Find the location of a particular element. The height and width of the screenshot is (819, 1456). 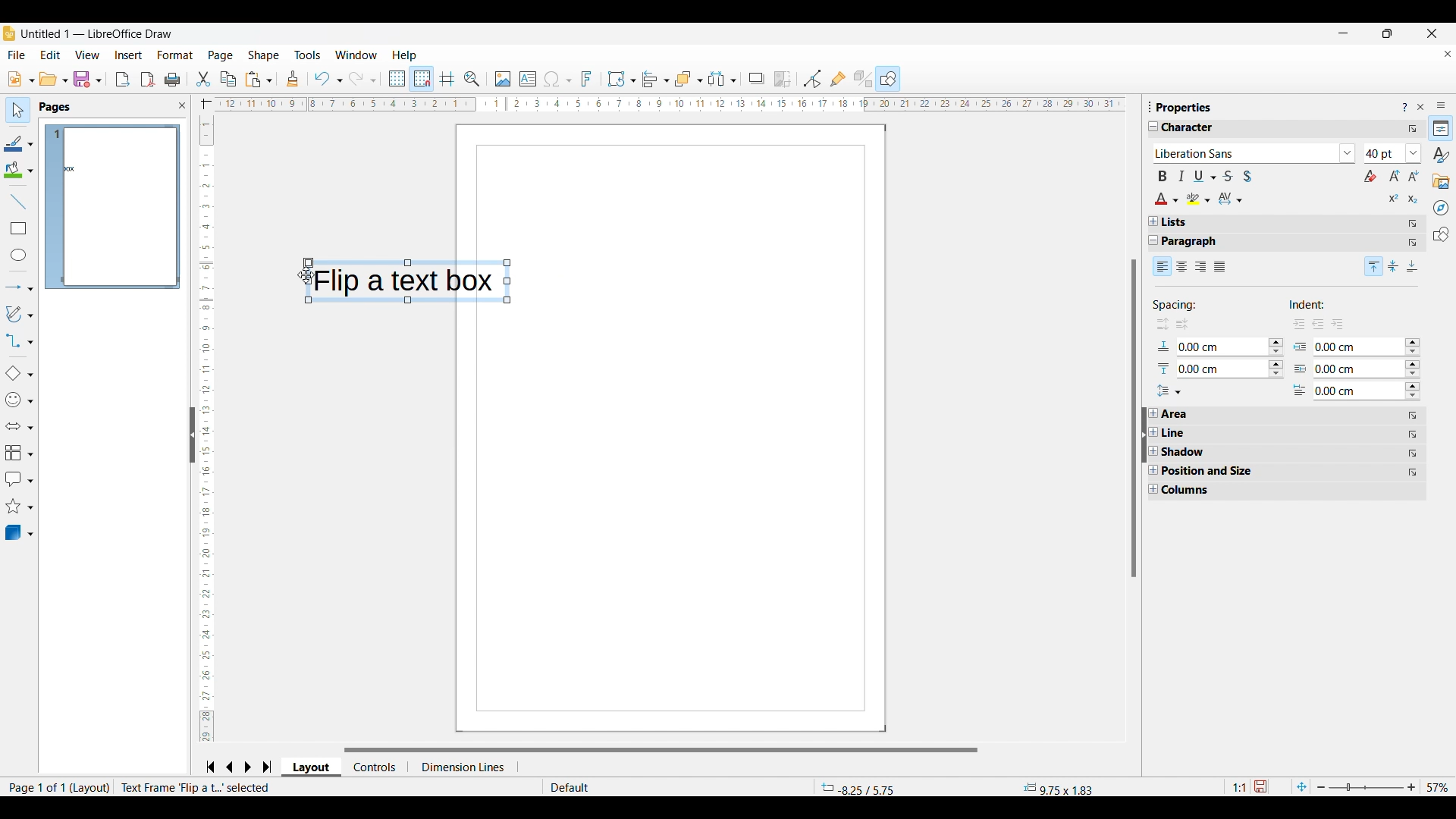

More options for respective sub-title is located at coordinates (1414, 444).